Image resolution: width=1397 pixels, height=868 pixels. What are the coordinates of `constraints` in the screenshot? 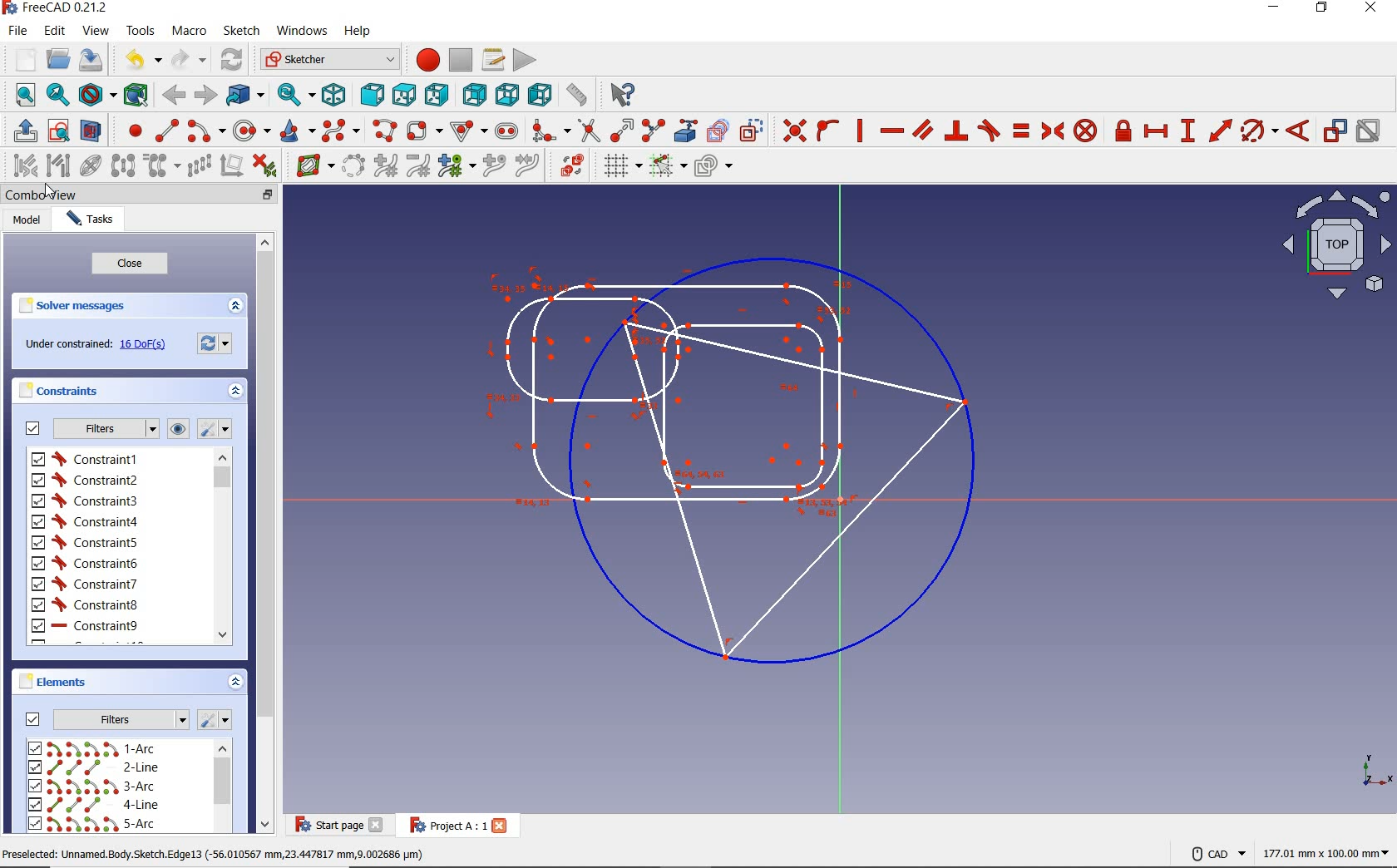 It's located at (108, 392).